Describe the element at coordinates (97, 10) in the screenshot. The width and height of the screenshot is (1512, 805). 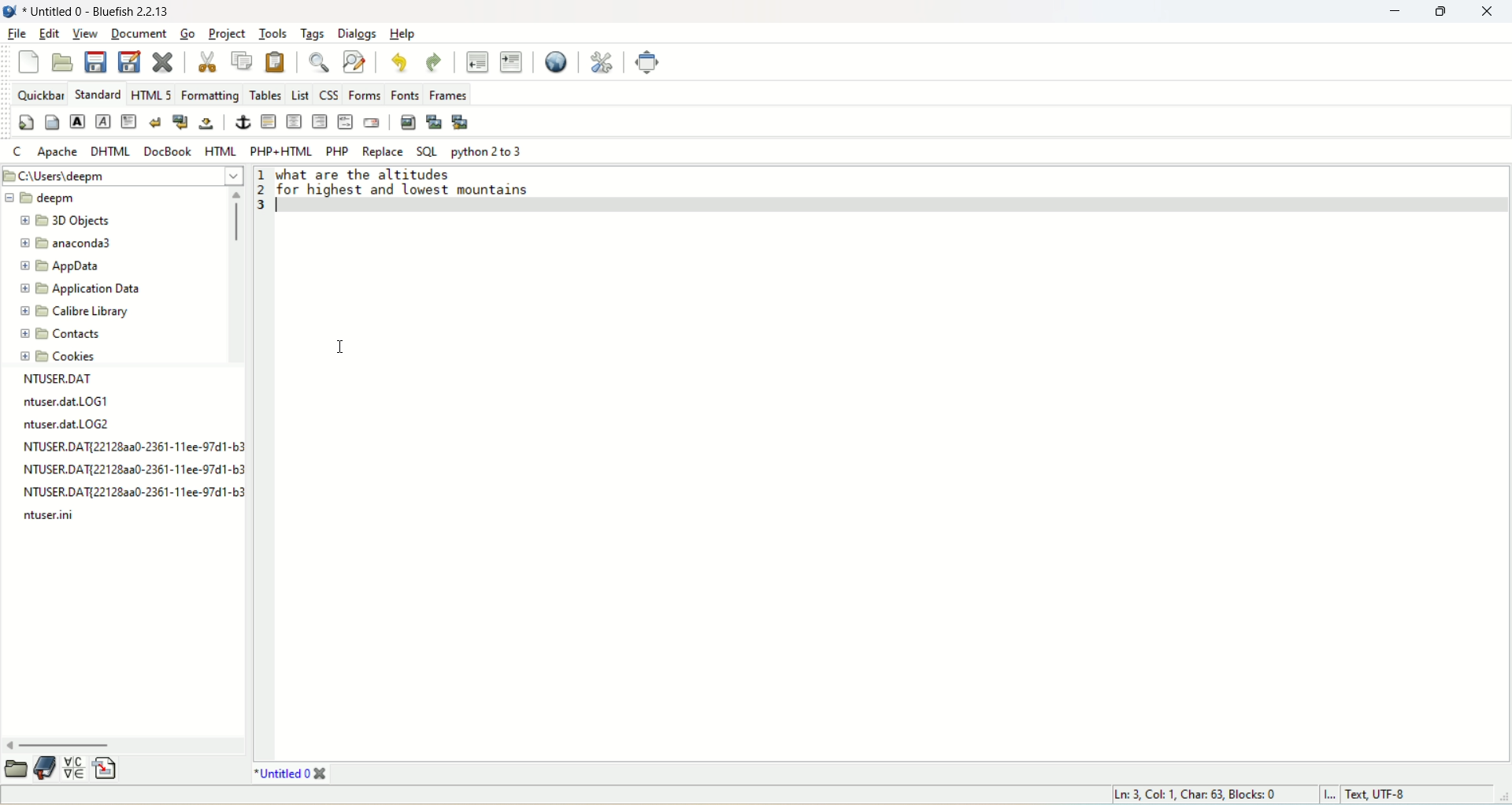
I see `title` at that location.